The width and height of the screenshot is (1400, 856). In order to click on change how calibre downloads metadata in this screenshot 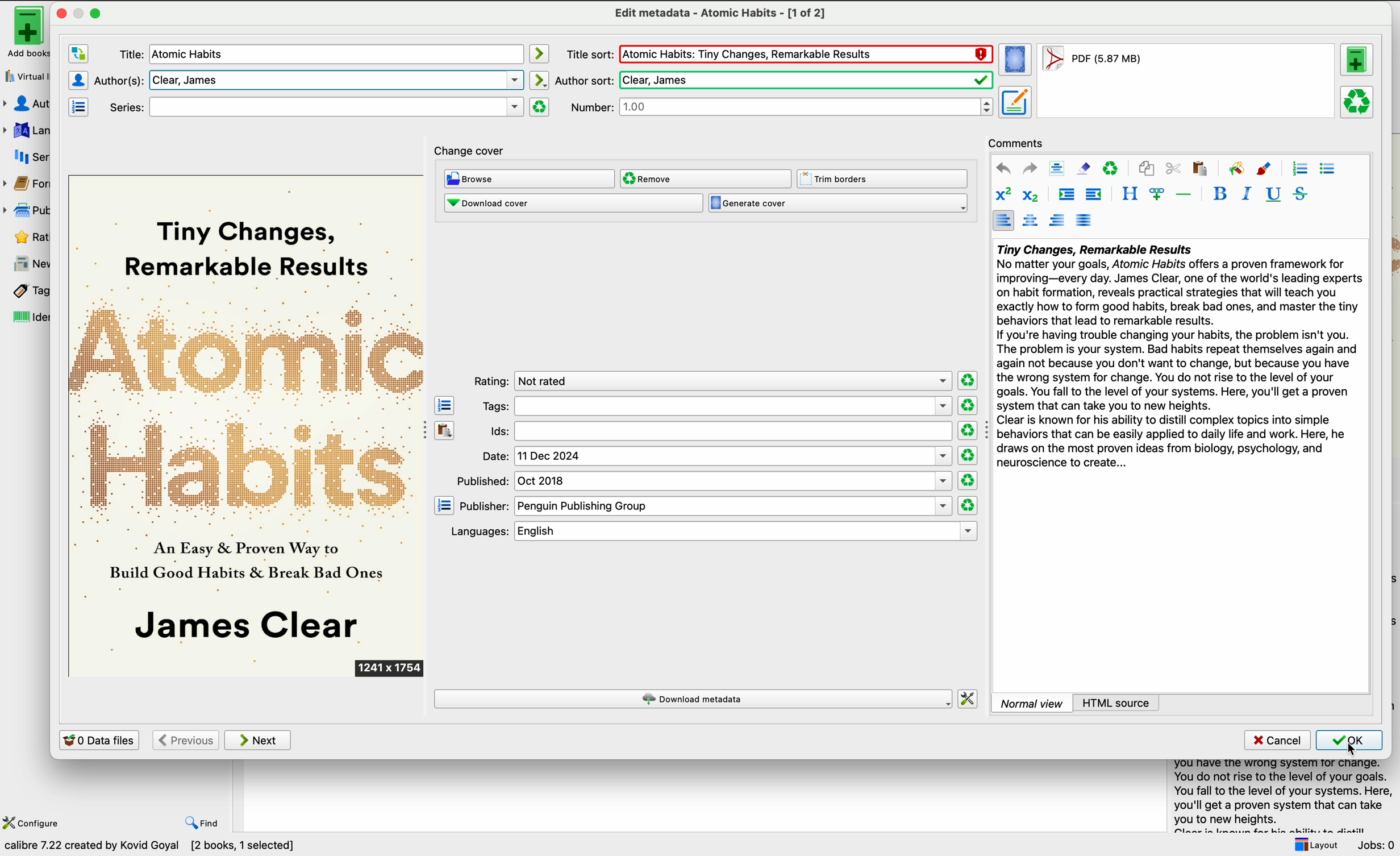, I will do `click(969, 698)`.